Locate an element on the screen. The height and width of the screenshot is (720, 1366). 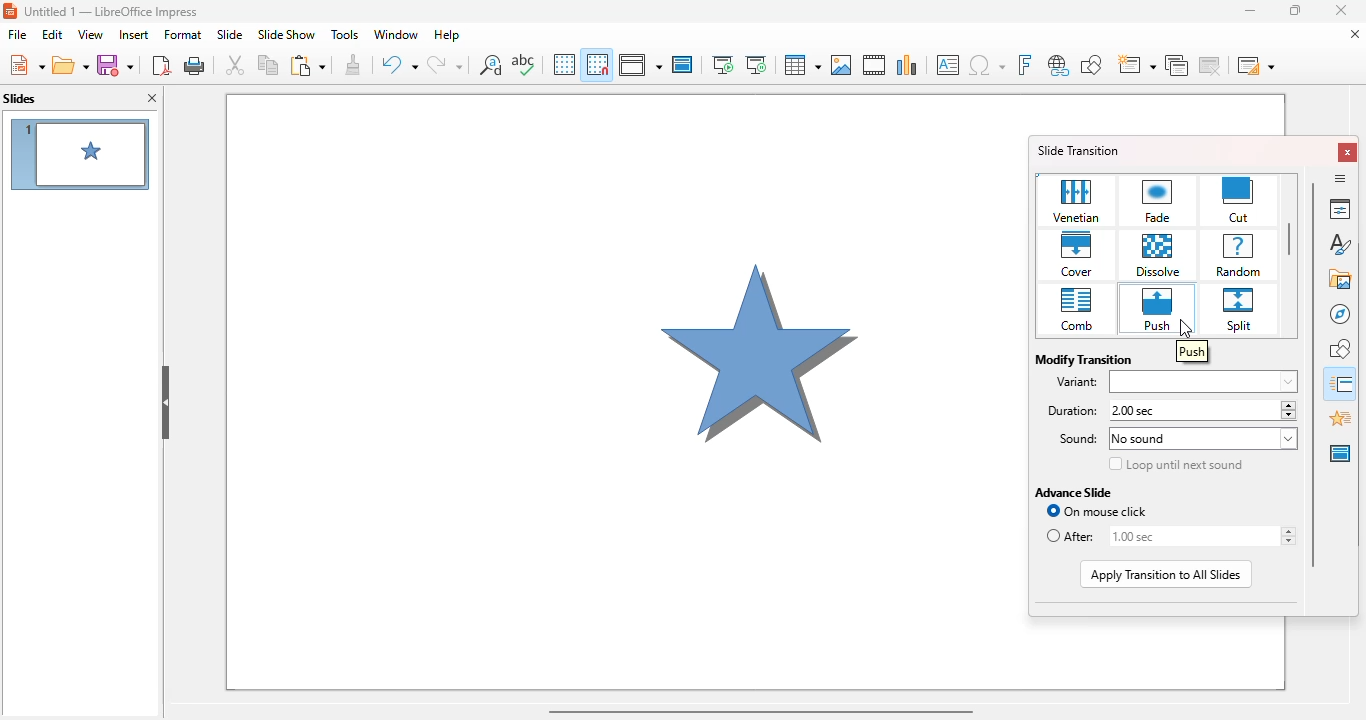
show draw functions is located at coordinates (1091, 66).